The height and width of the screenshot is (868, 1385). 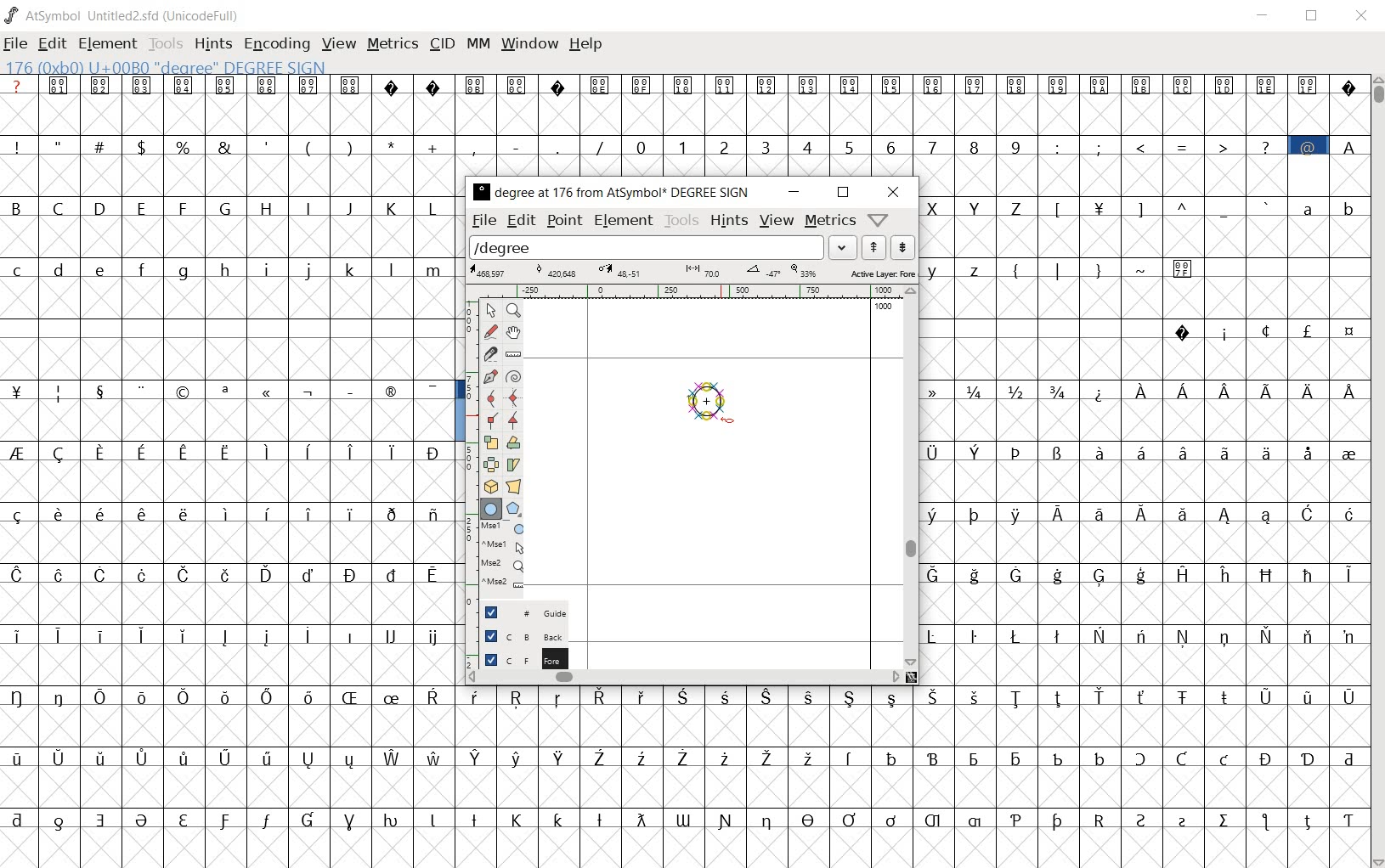 I want to click on close, so click(x=1362, y=17).